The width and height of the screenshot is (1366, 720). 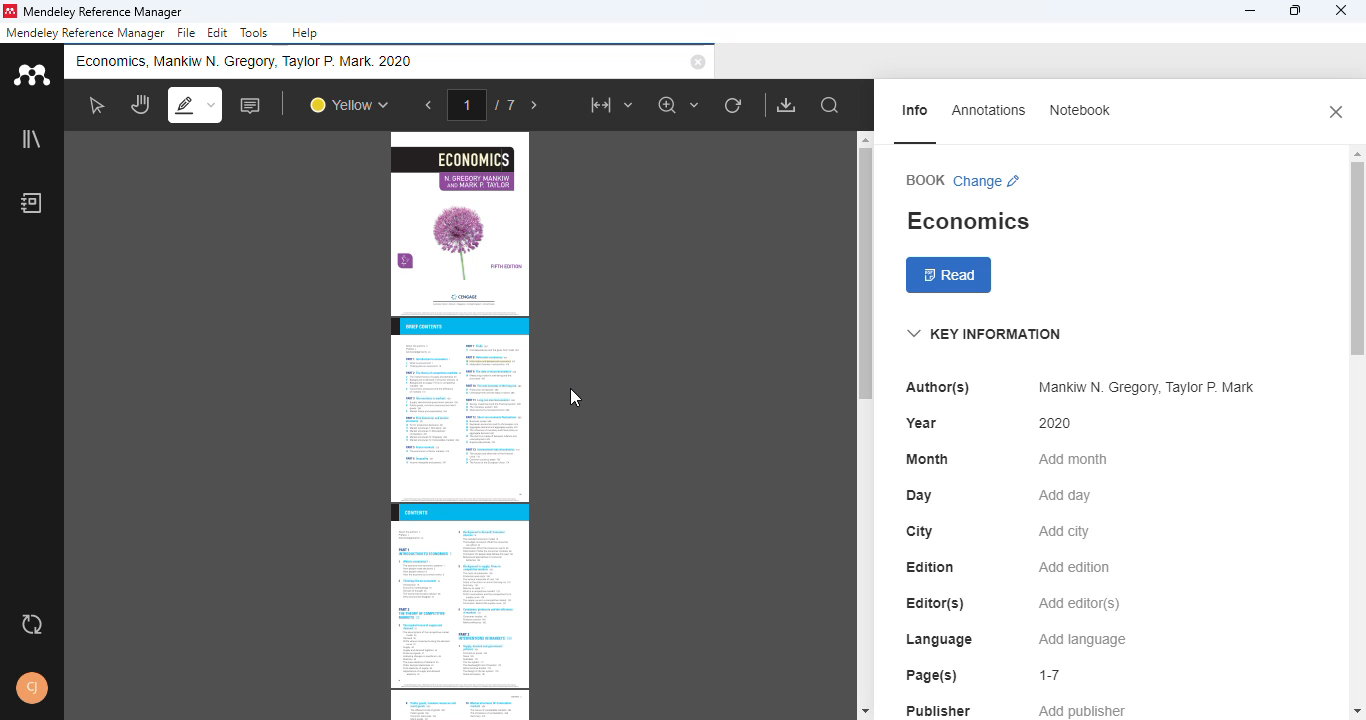 I want to click on 1-7, so click(x=1051, y=675).